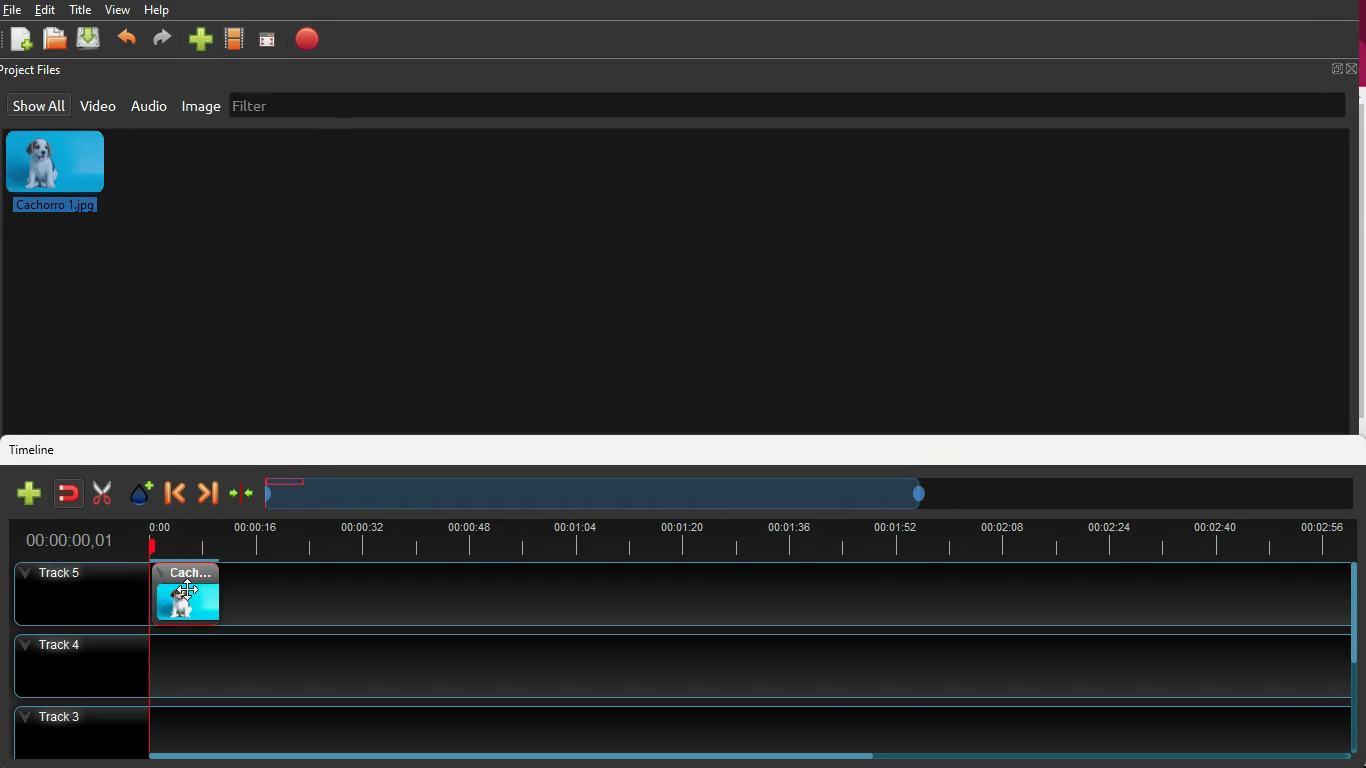 This screenshot has width=1366, height=768. What do you see at coordinates (260, 105) in the screenshot?
I see `filter` at bounding box center [260, 105].